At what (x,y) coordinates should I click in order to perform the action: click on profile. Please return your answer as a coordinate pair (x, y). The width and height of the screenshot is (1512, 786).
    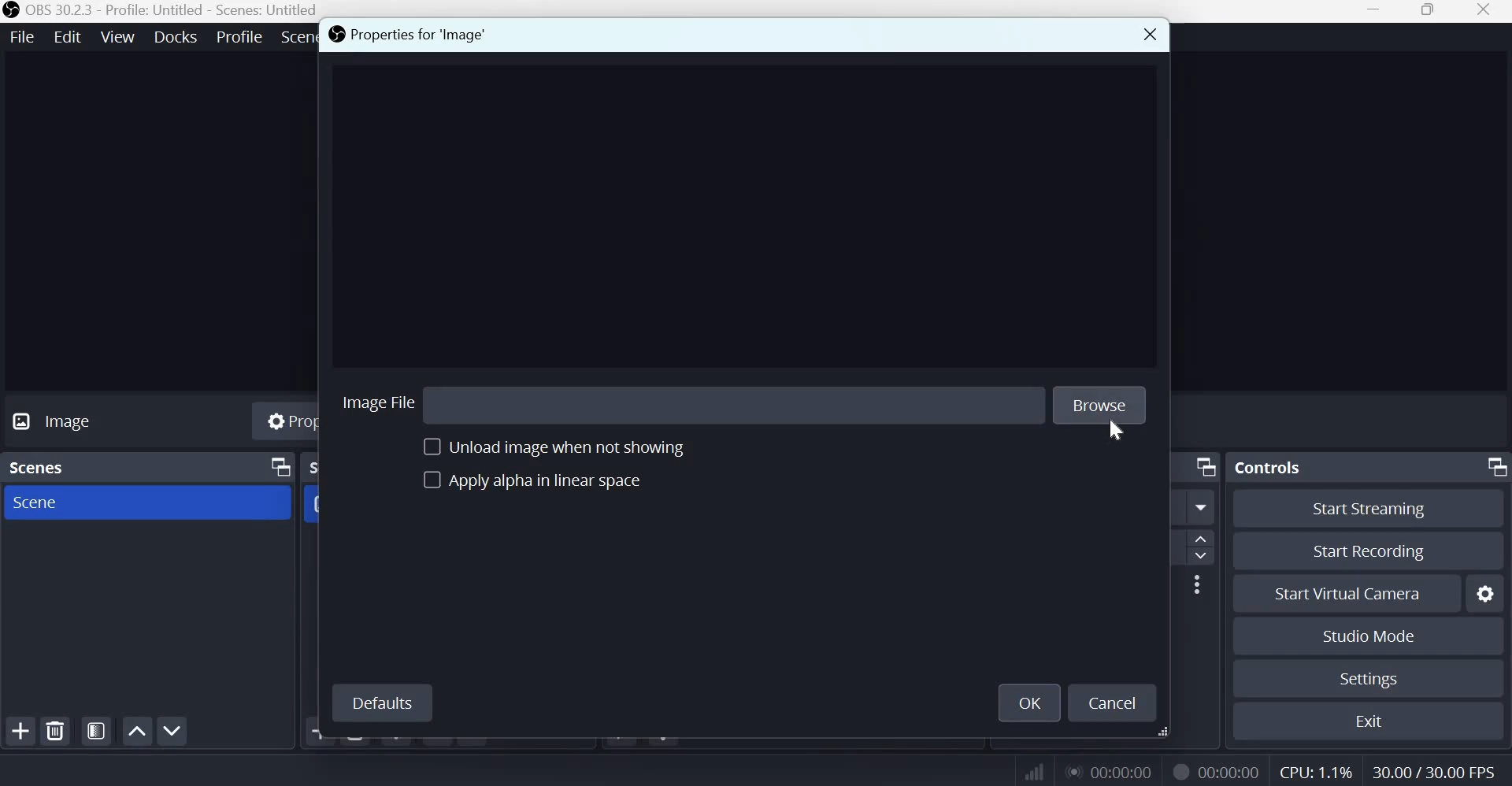
    Looking at the image, I should click on (241, 35).